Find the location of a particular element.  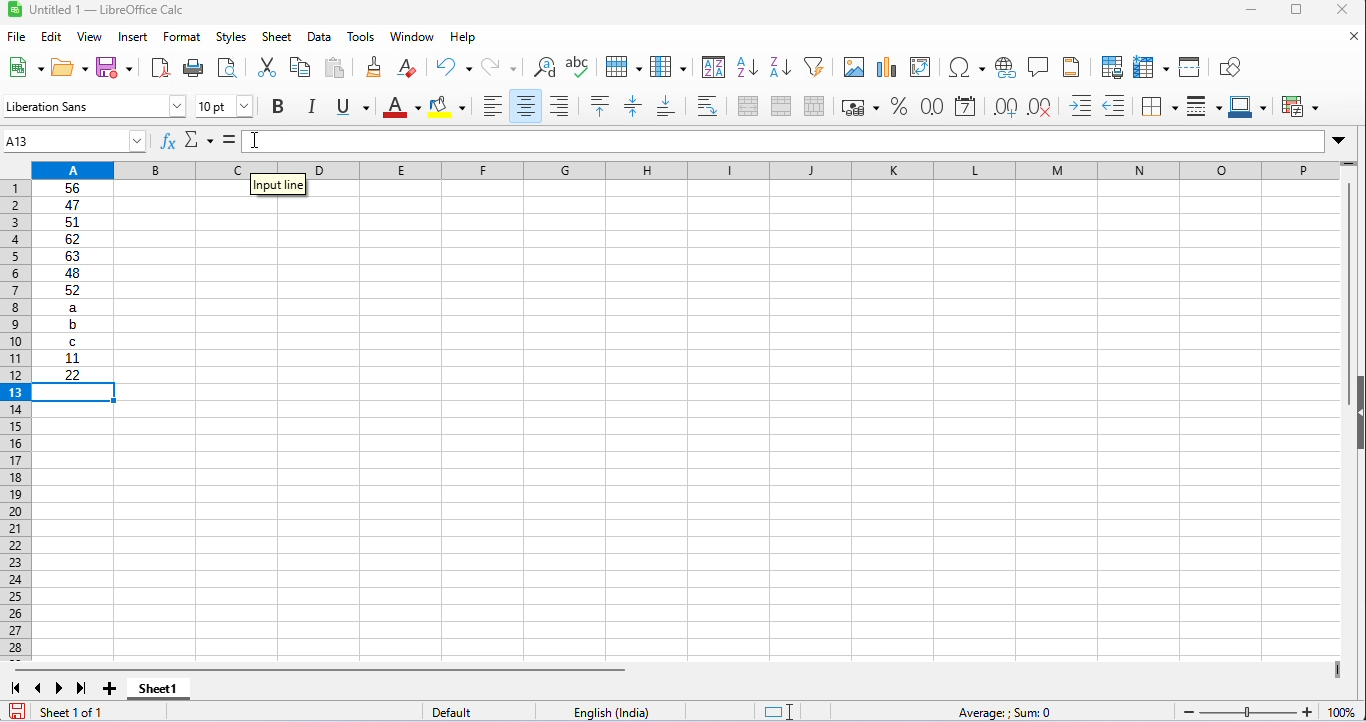

function wizard is located at coordinates (168, 141).